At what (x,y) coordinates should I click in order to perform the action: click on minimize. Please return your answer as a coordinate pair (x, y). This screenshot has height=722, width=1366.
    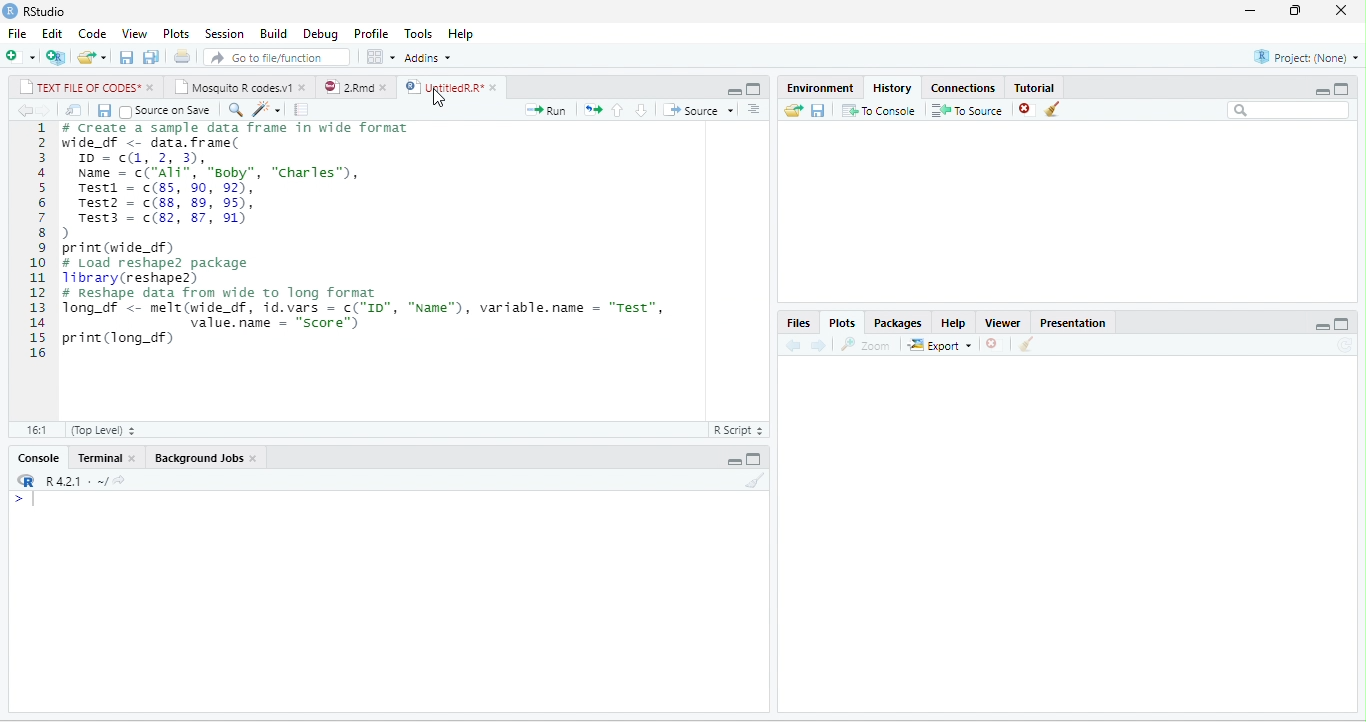
    Looking at the image, I should click on (734, 92).